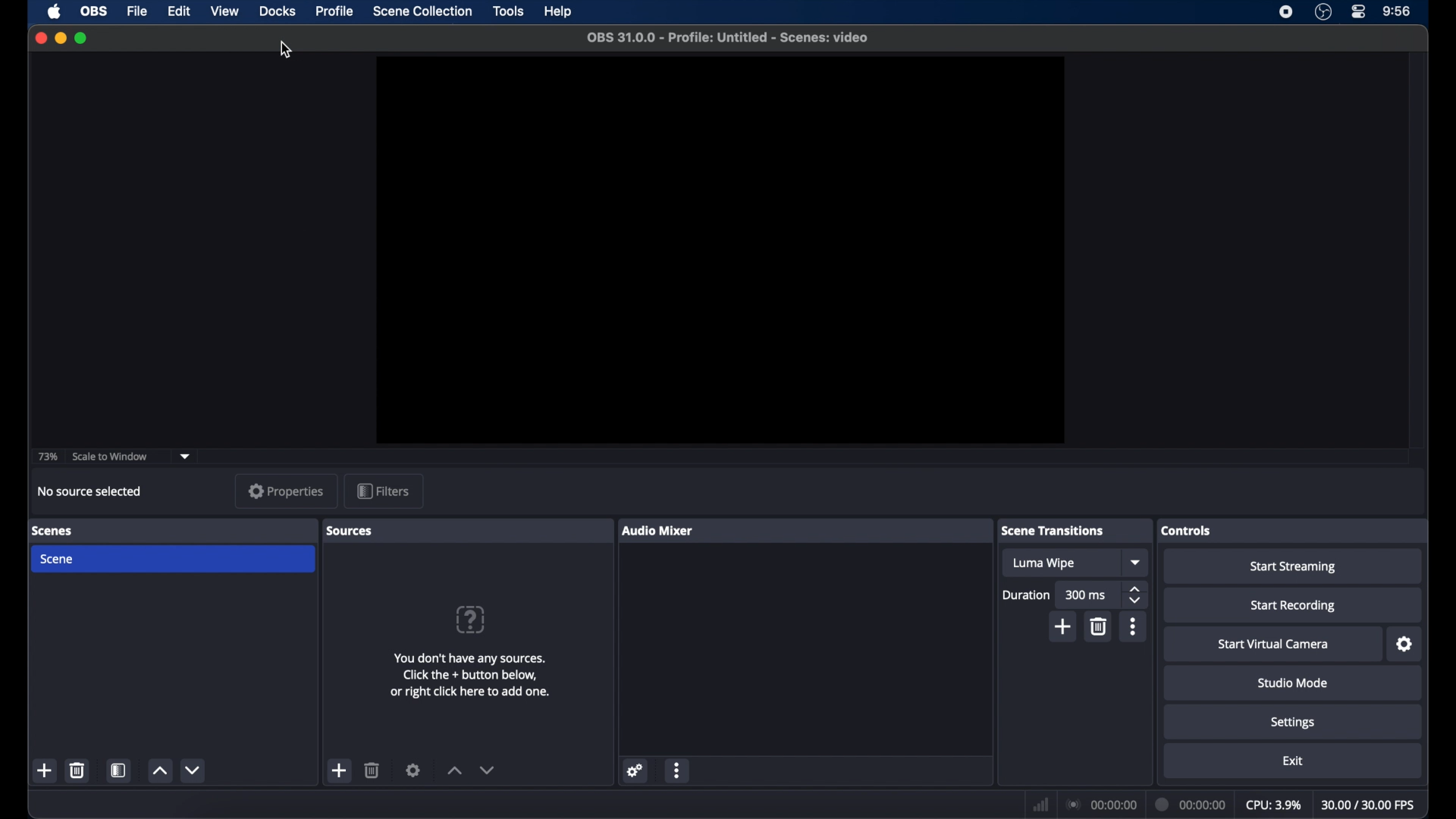 The width and height of the screenshot is (1456, 819). What do you see at coordinates (372, 770) in the screenshot?
I see `delete` at bounding box center [372, 770].